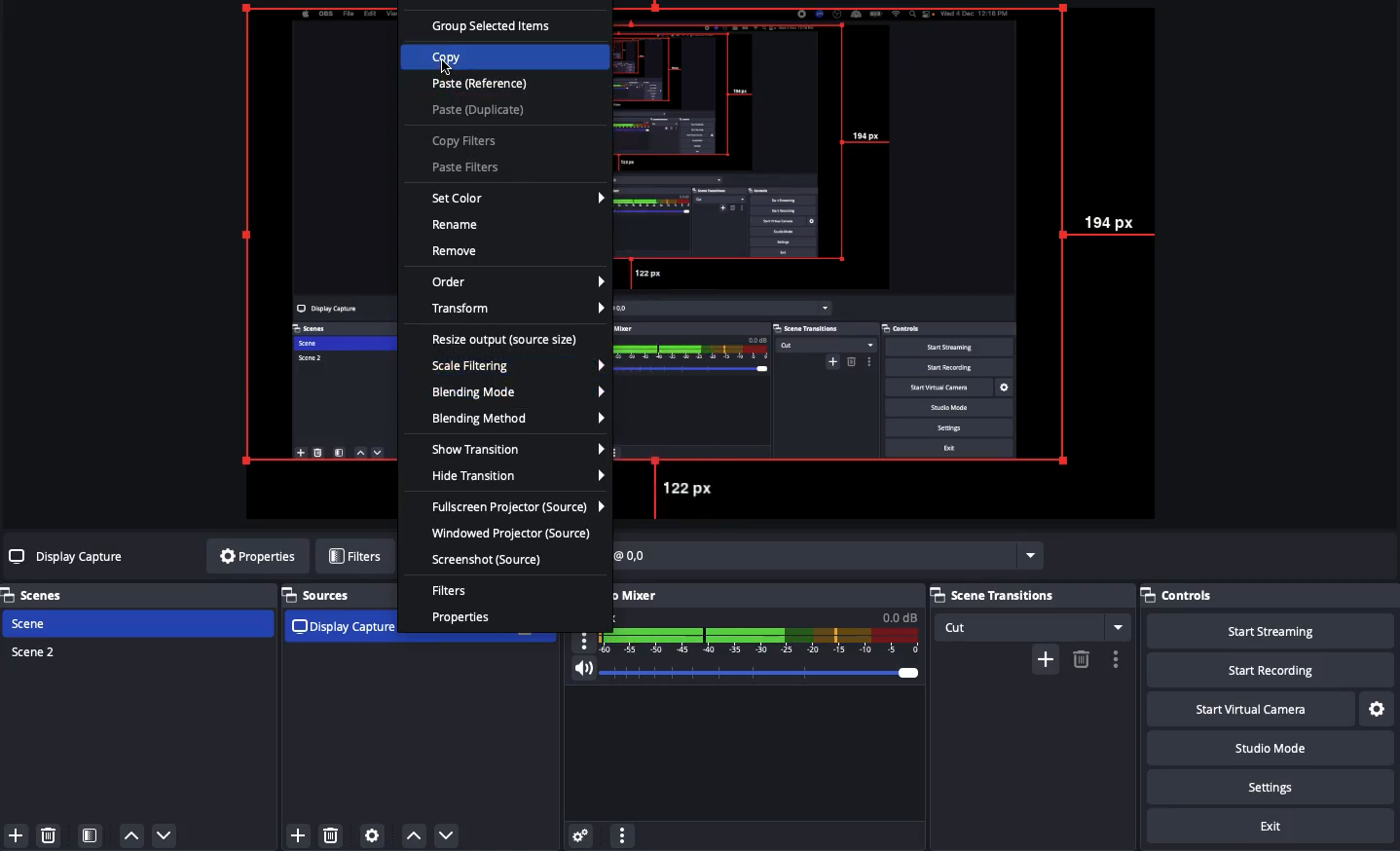 The height and width of the screenshot is (851, 1400). I want to click on Scene 1, so click(32, 622).